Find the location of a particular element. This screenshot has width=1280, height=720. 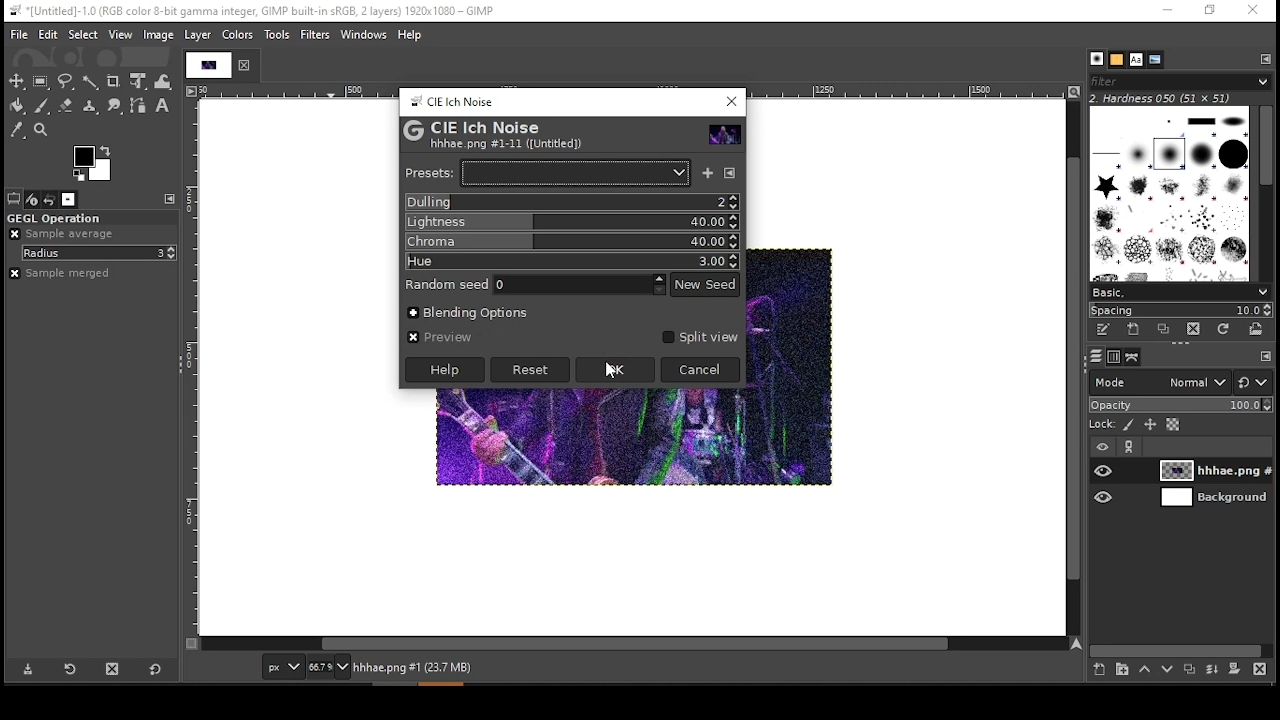

windows is located at coordinates (365, 34).